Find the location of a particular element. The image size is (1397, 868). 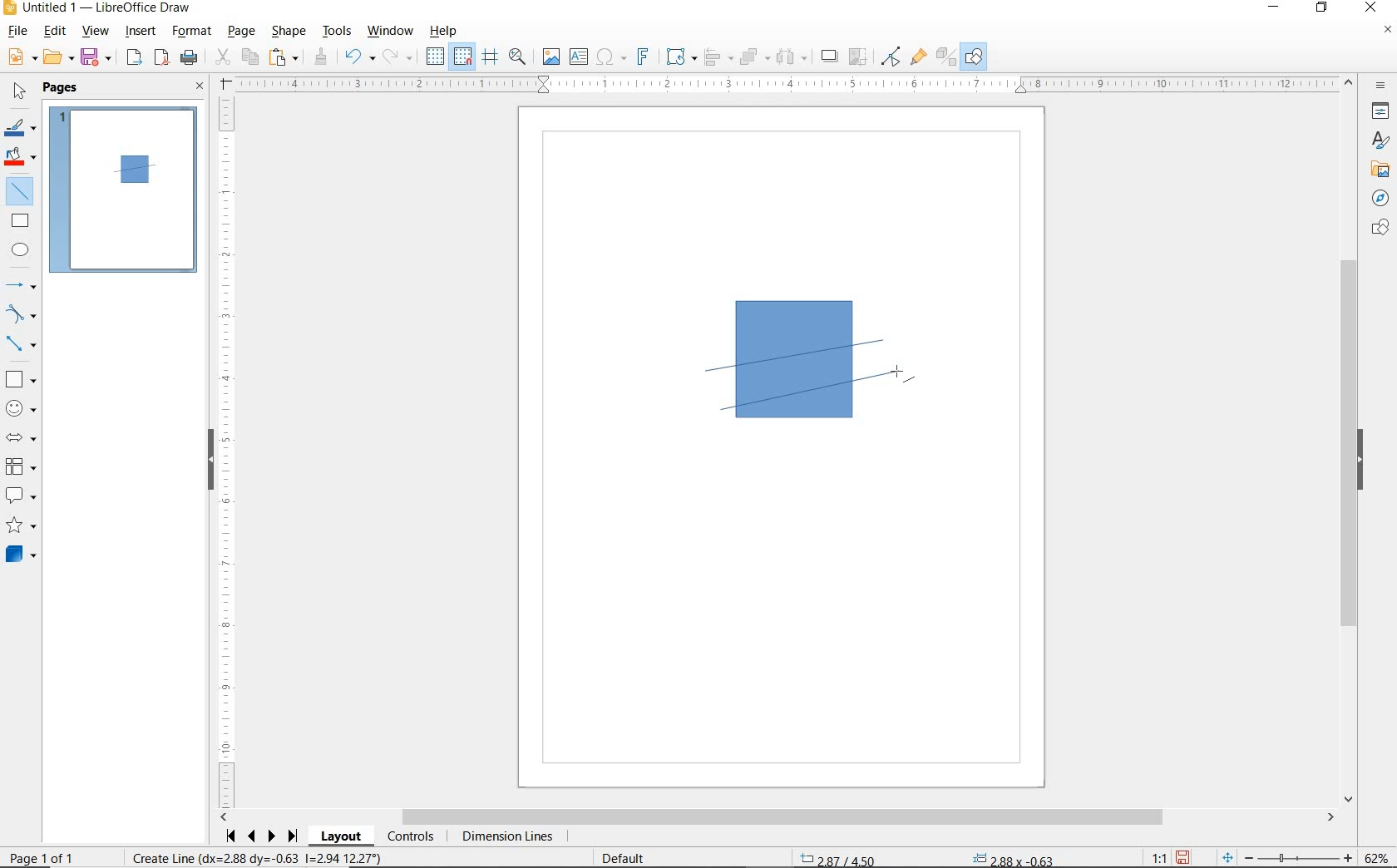

Resize shape is located at coordinates (256, 857).